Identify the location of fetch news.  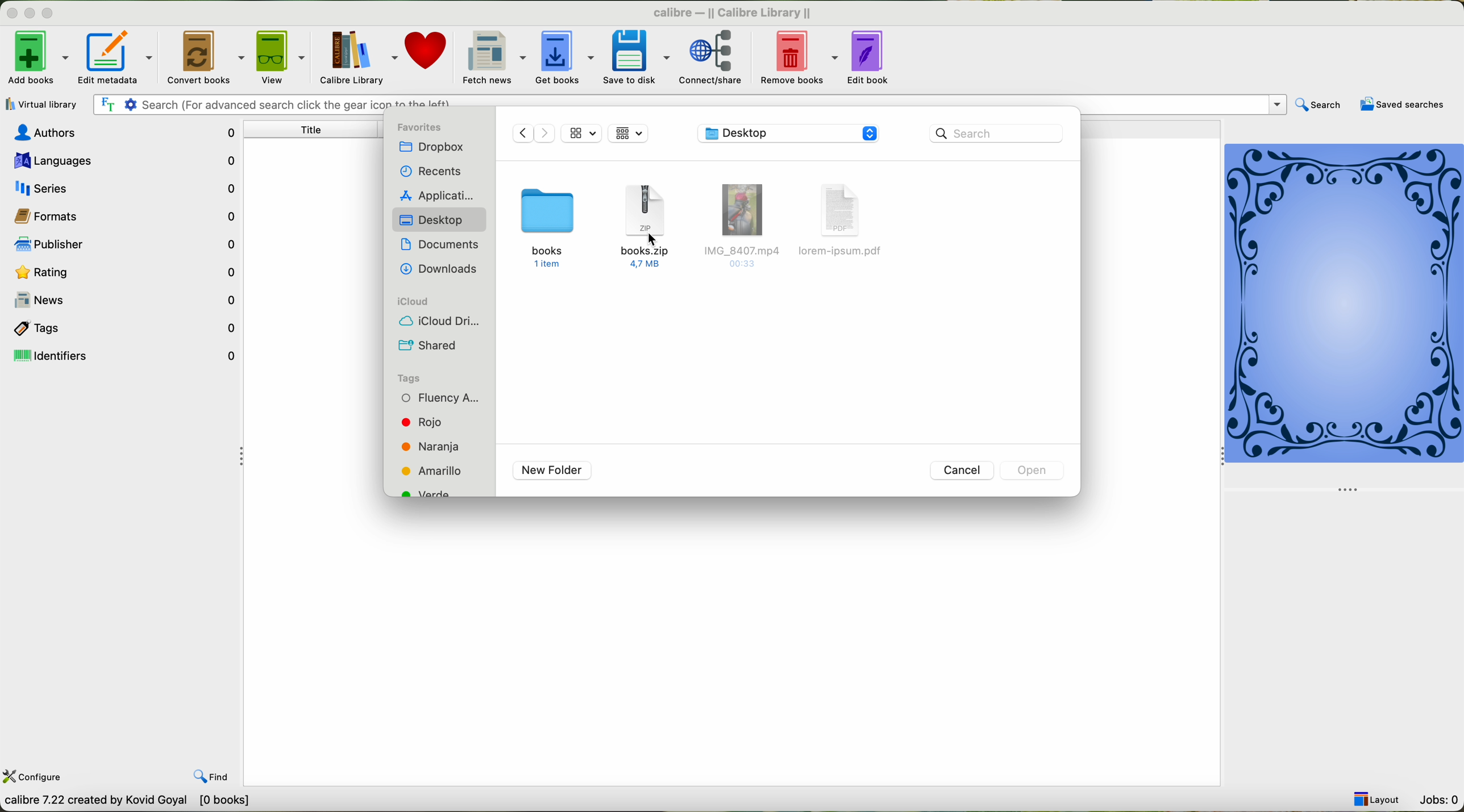
(495, 57).